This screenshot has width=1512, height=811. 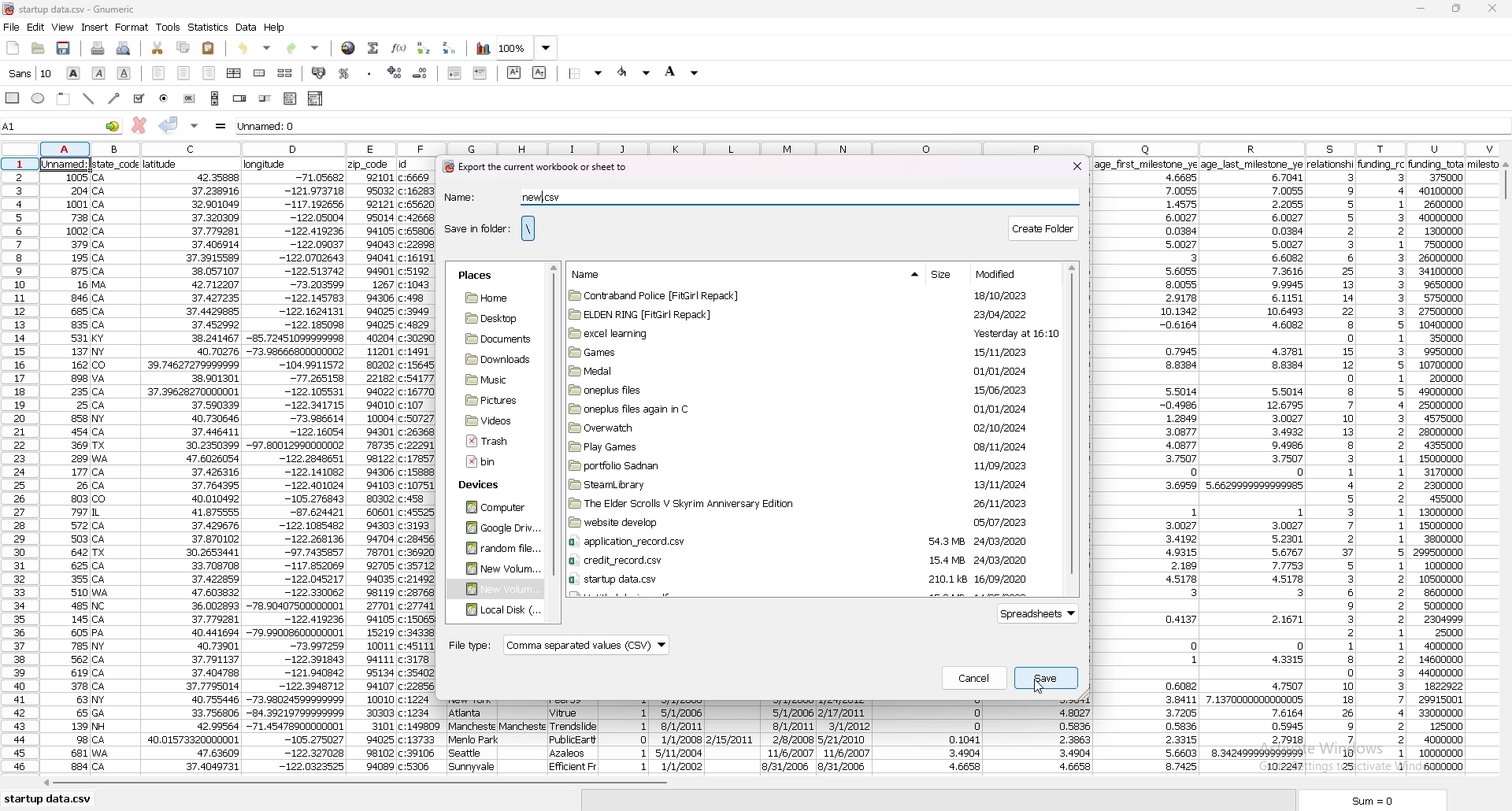 I want to click on frame, so click(x=65, y=98).